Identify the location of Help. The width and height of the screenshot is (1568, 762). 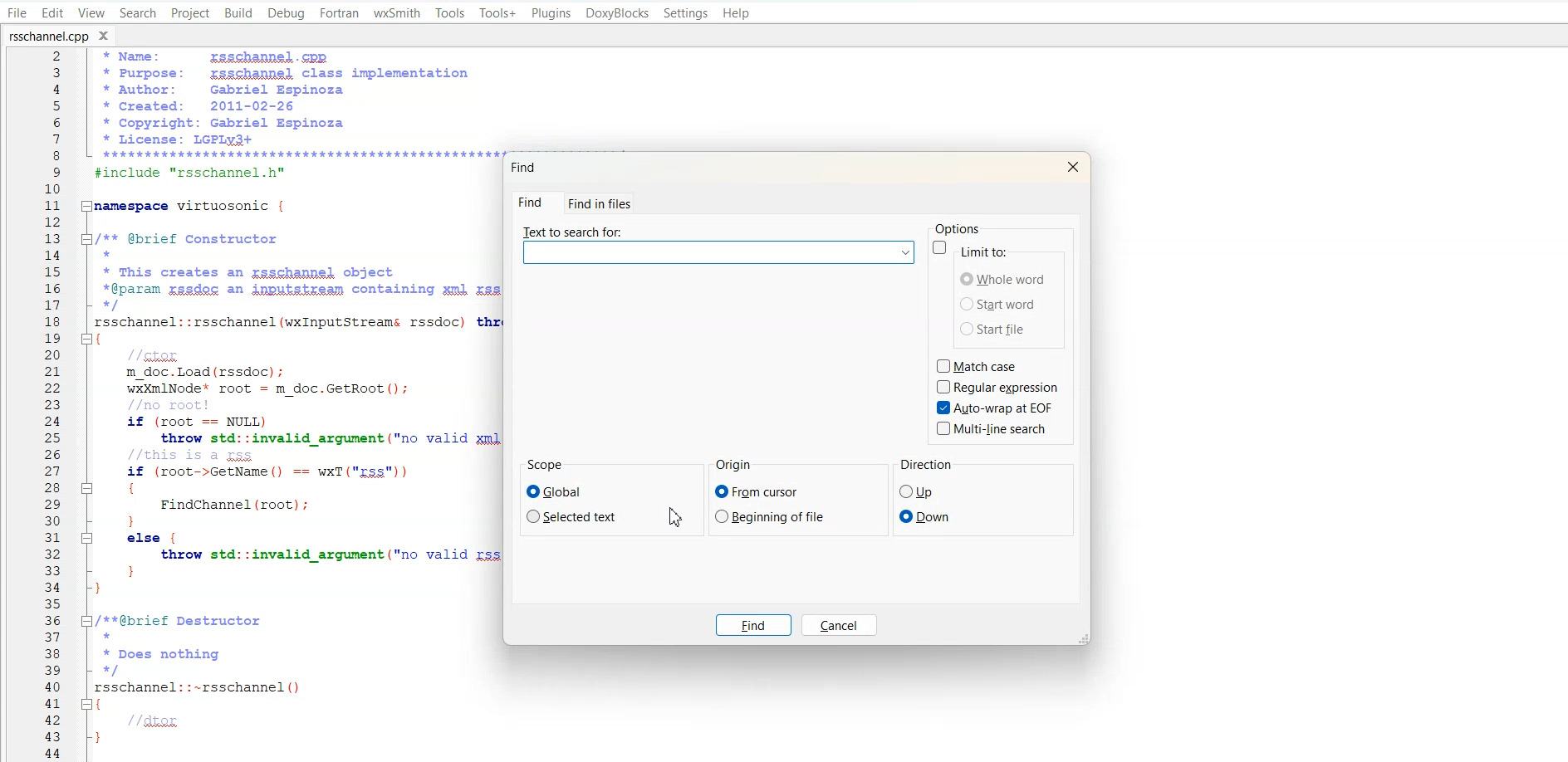
(737, 13).